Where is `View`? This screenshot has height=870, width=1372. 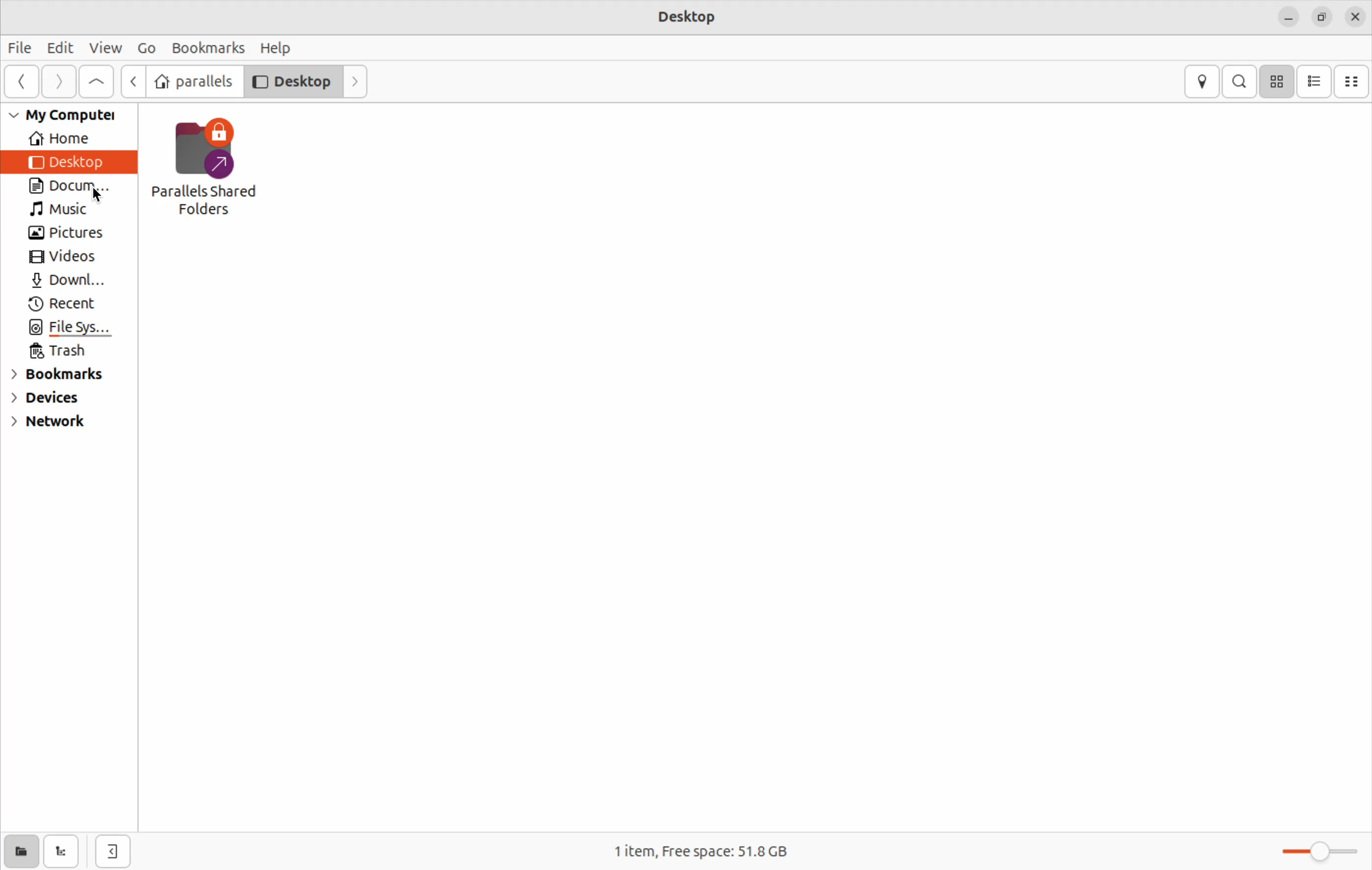
View is located at coordinates (106, 46).